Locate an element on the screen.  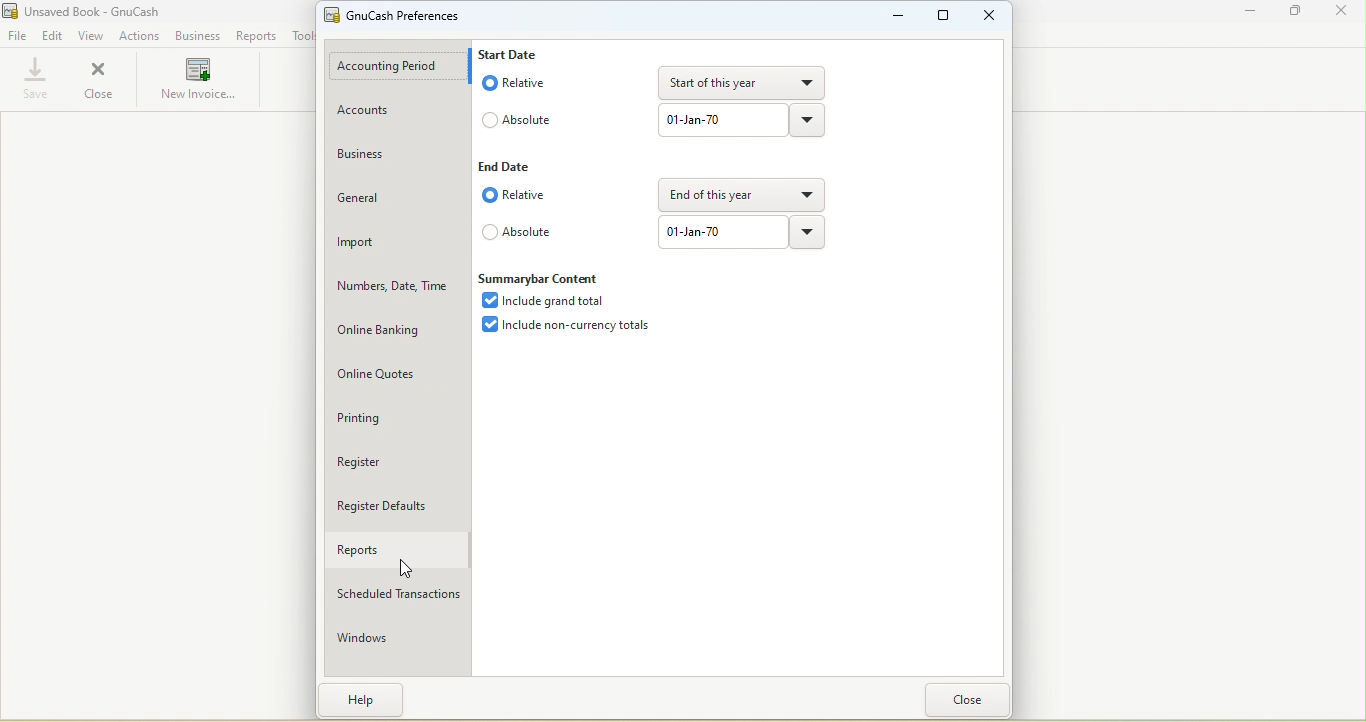
File is located at coordinates (17, 37).